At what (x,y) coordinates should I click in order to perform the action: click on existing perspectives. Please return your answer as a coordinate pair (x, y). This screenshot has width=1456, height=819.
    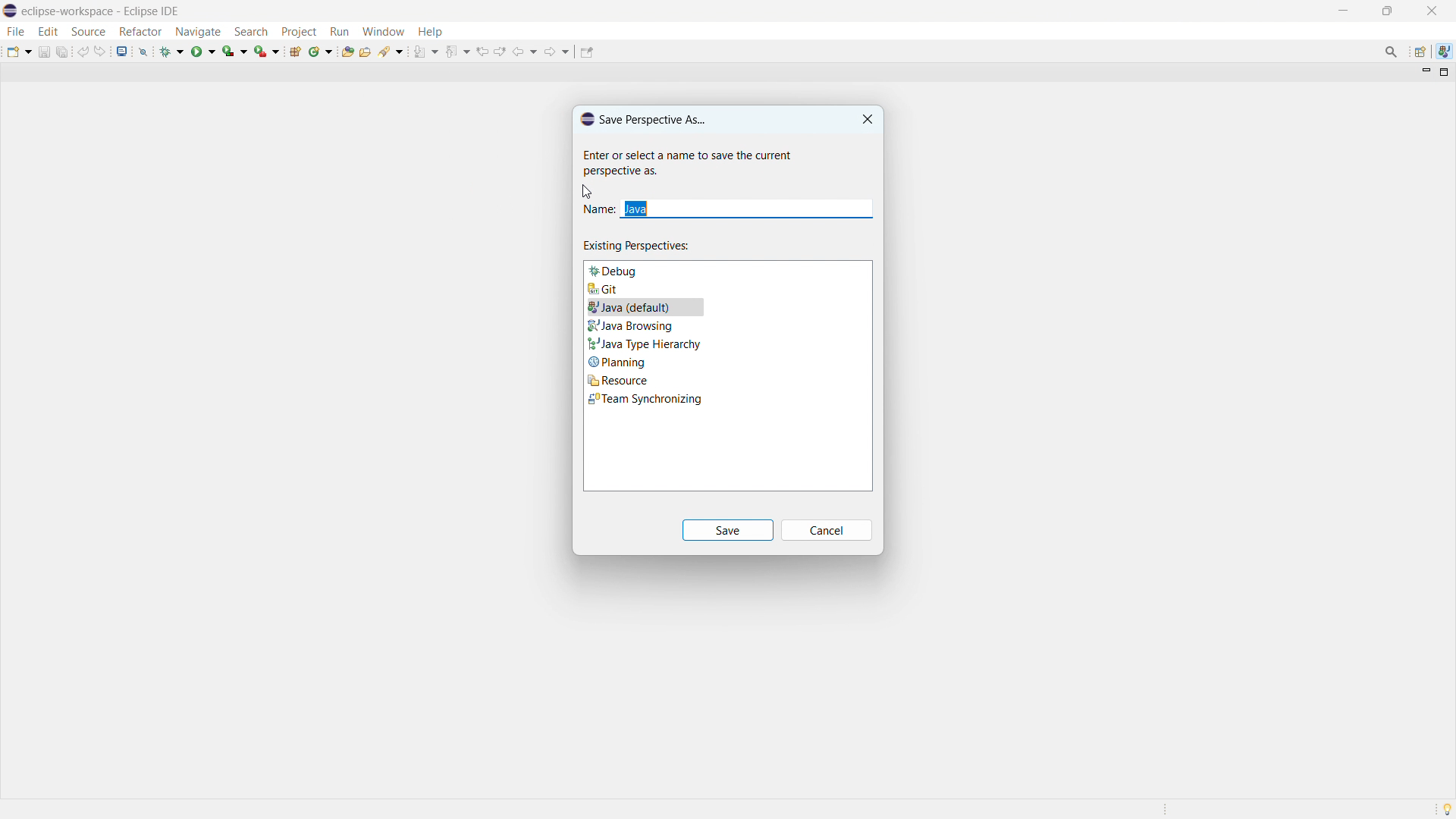
    Looking at the image, I should click on (638, 245).